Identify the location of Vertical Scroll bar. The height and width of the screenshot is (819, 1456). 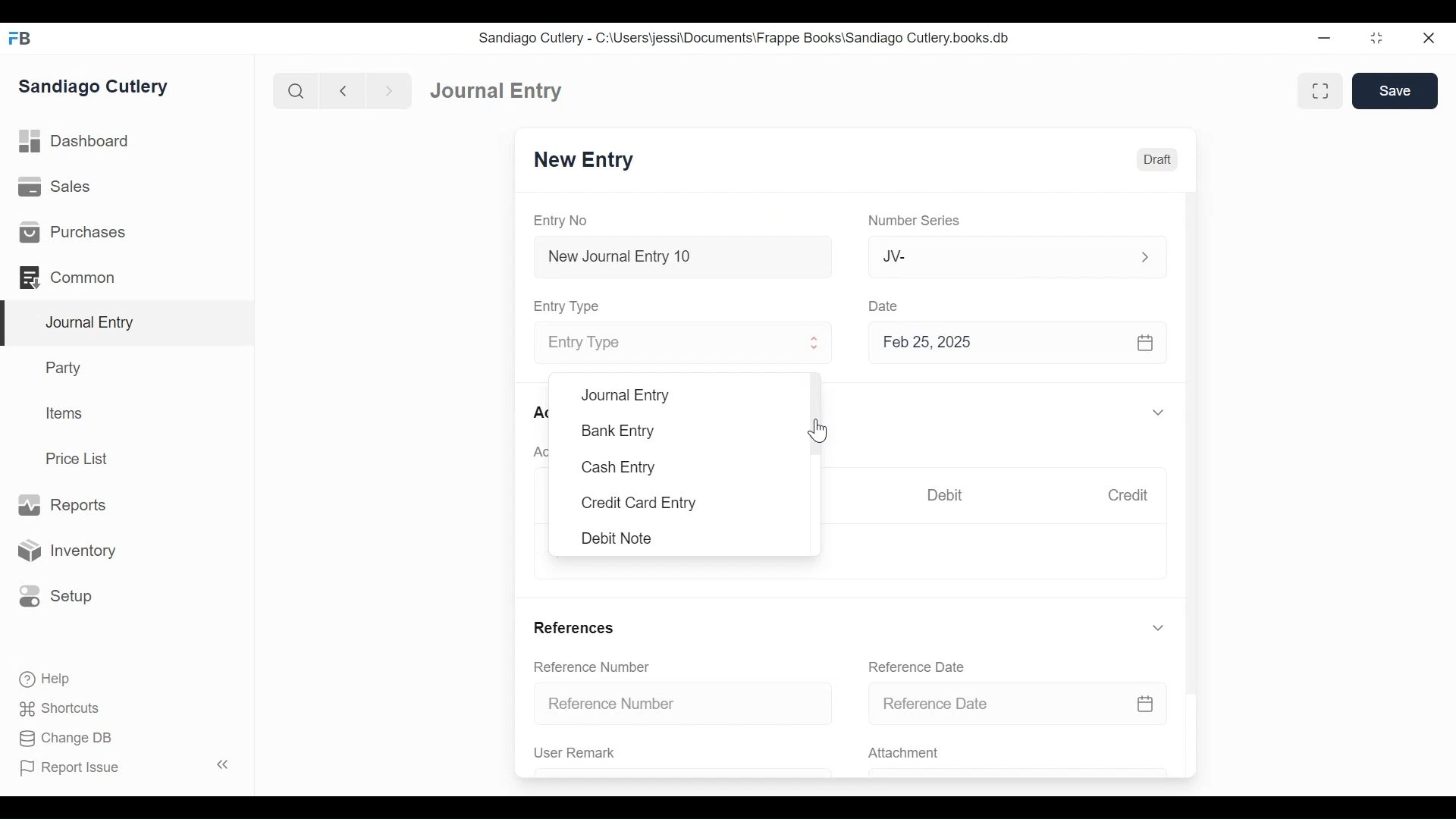
(1194, 434).